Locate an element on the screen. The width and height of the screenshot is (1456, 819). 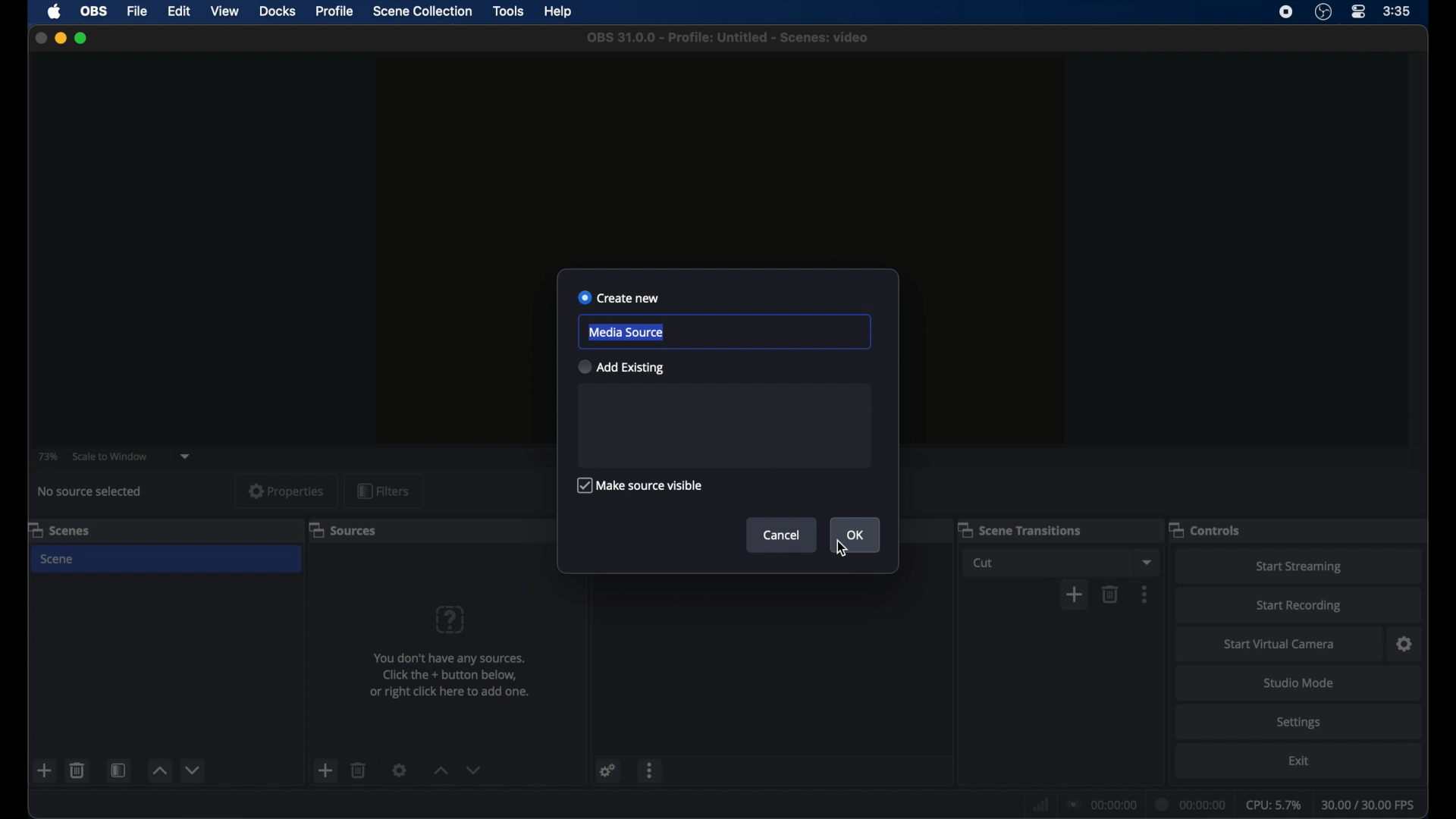
properties is located at coordinates (287, 491).